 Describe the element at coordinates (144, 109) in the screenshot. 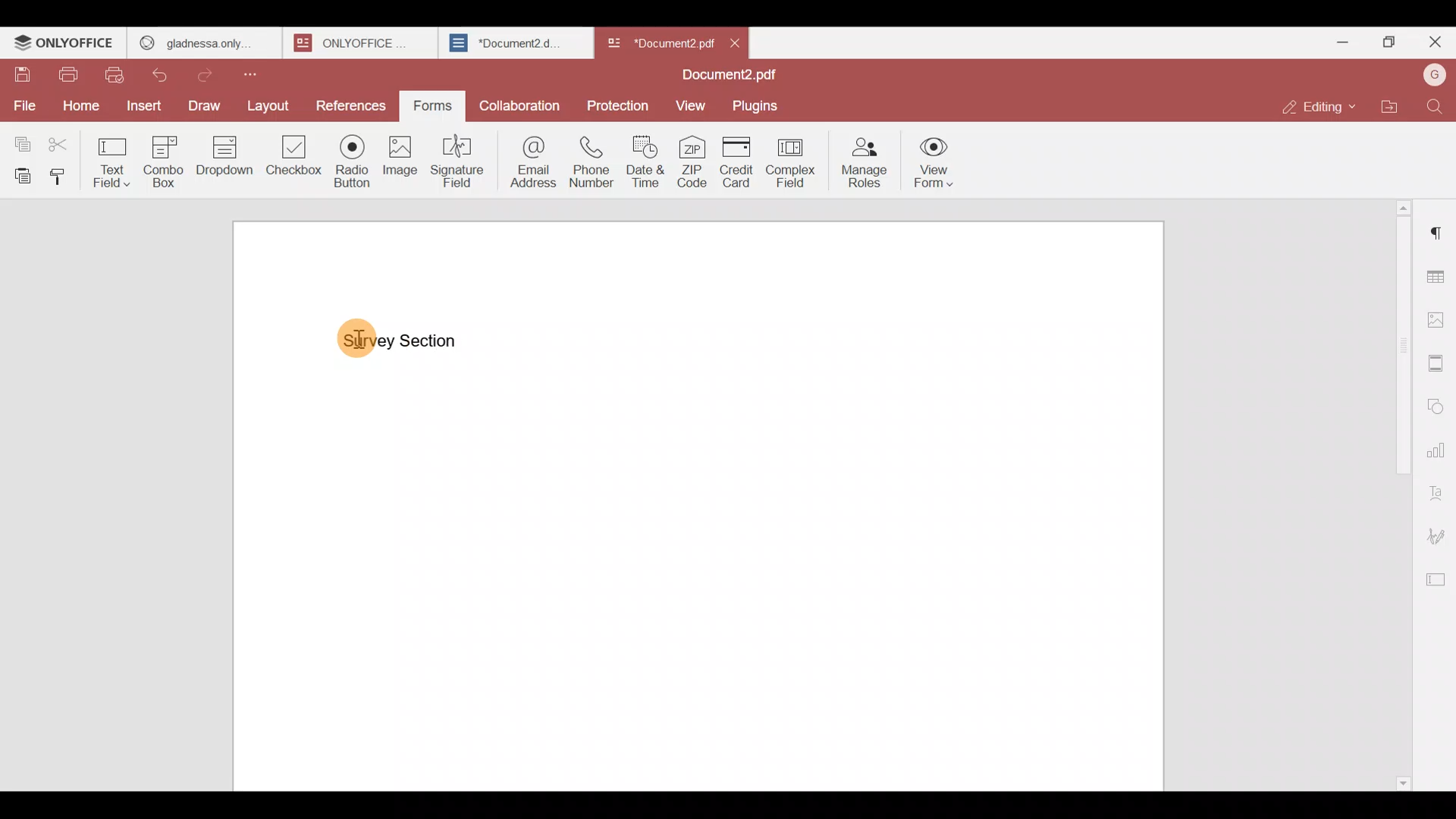

I see `Insert` at that location.